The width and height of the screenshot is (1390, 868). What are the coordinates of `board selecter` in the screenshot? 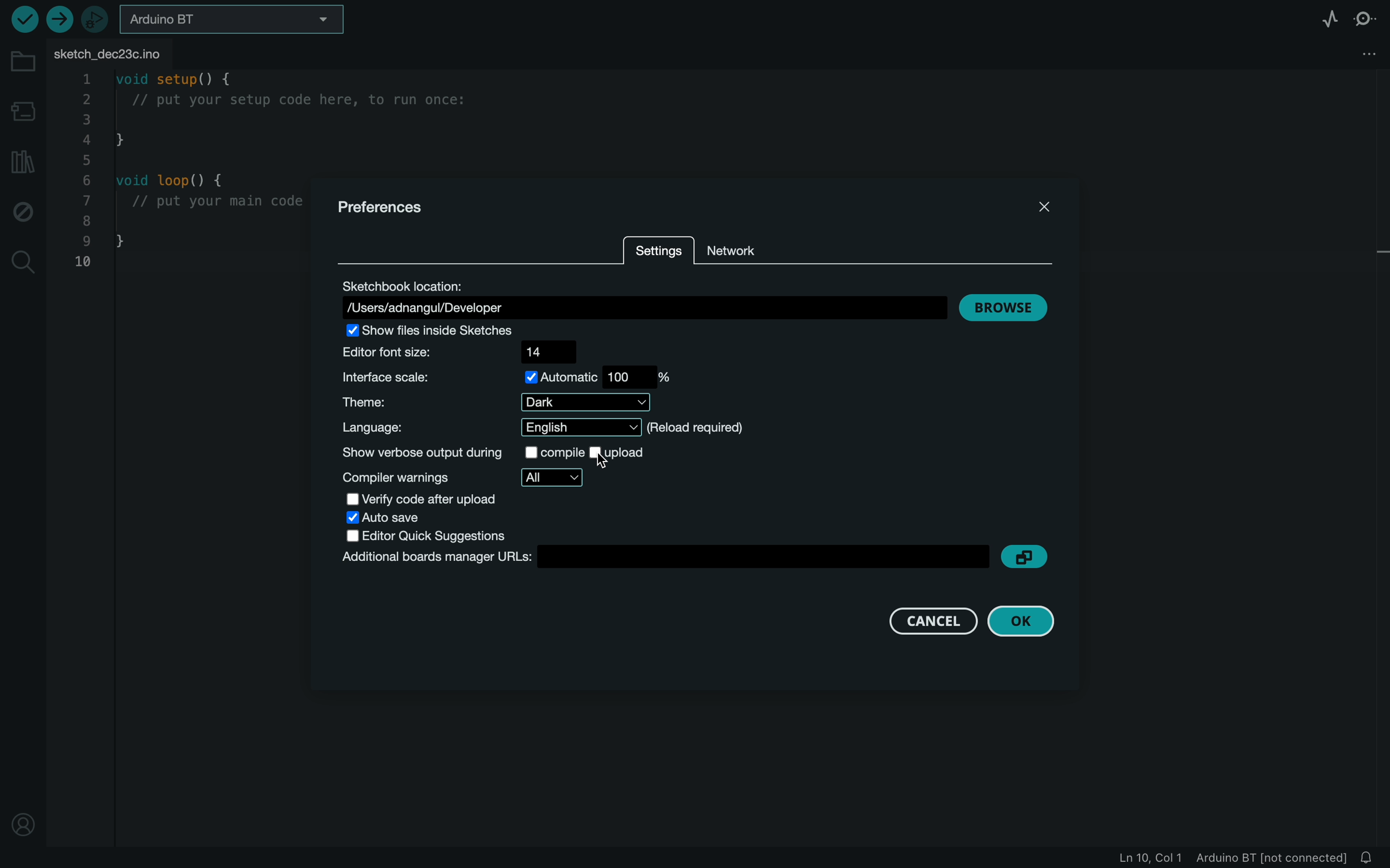 It's located at (230, 19).